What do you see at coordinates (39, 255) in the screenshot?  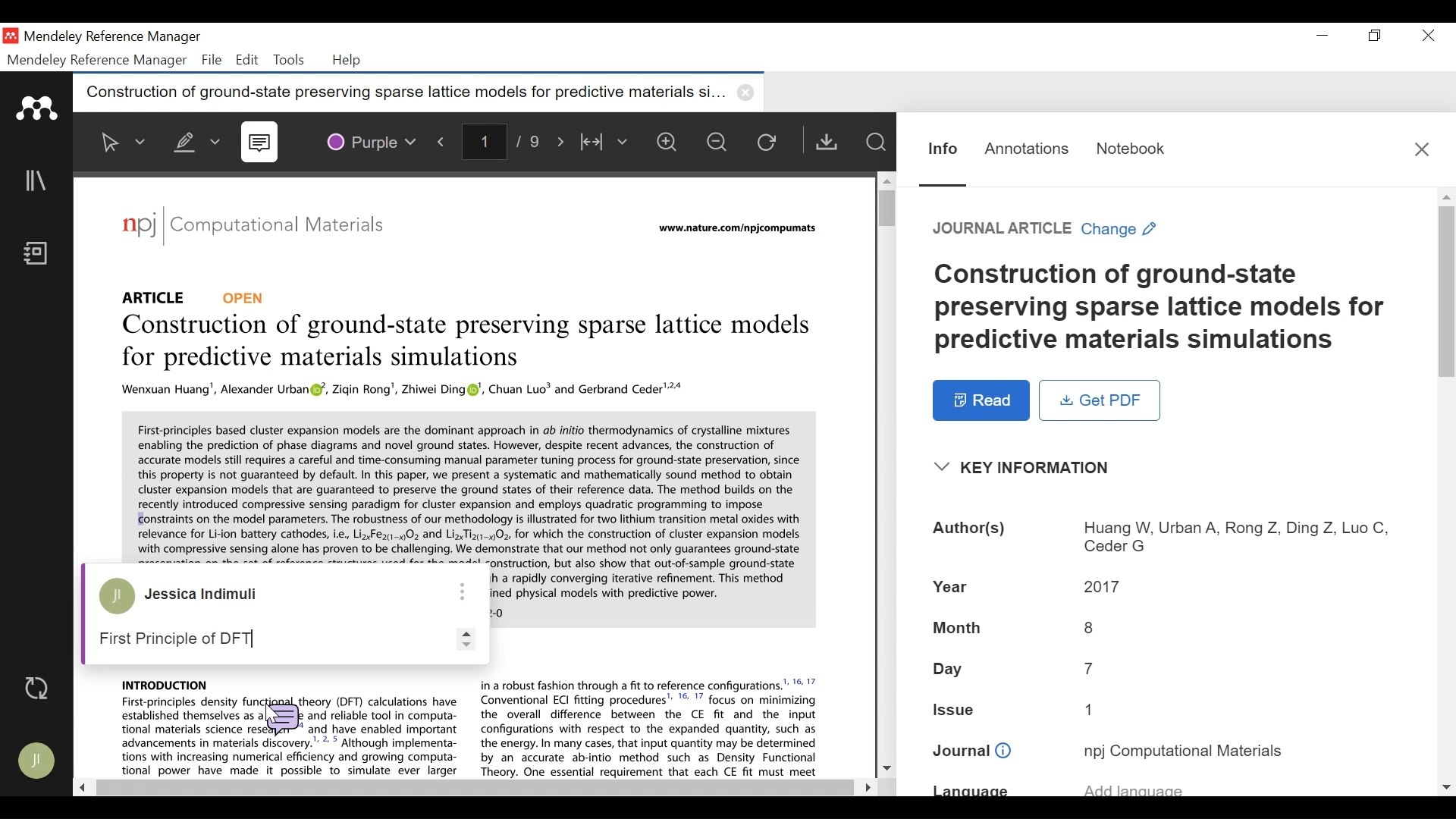 I see `Notebook` at bounding box center [39, 255].